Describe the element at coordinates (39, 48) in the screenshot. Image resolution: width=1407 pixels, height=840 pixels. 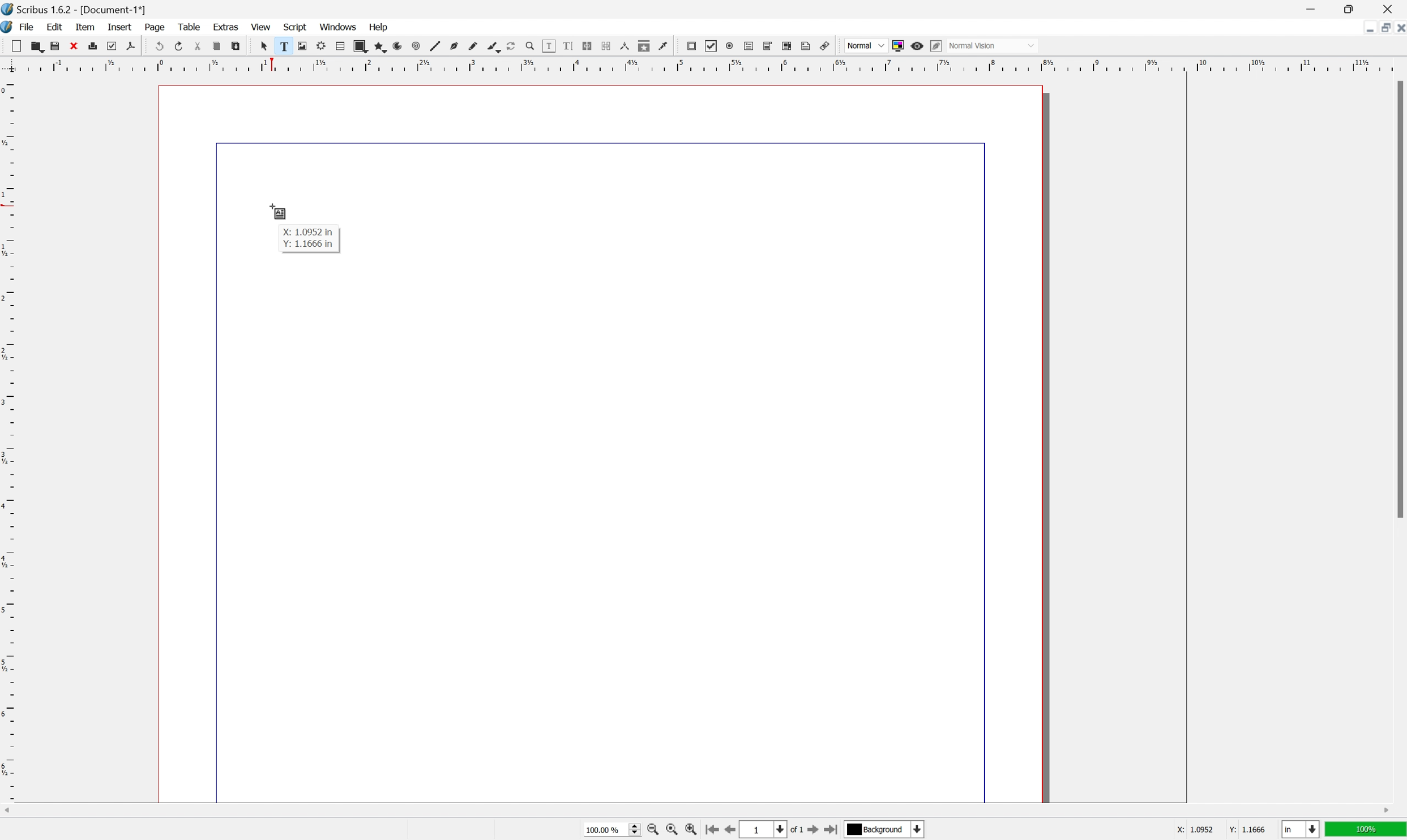
I see `open` at that location.